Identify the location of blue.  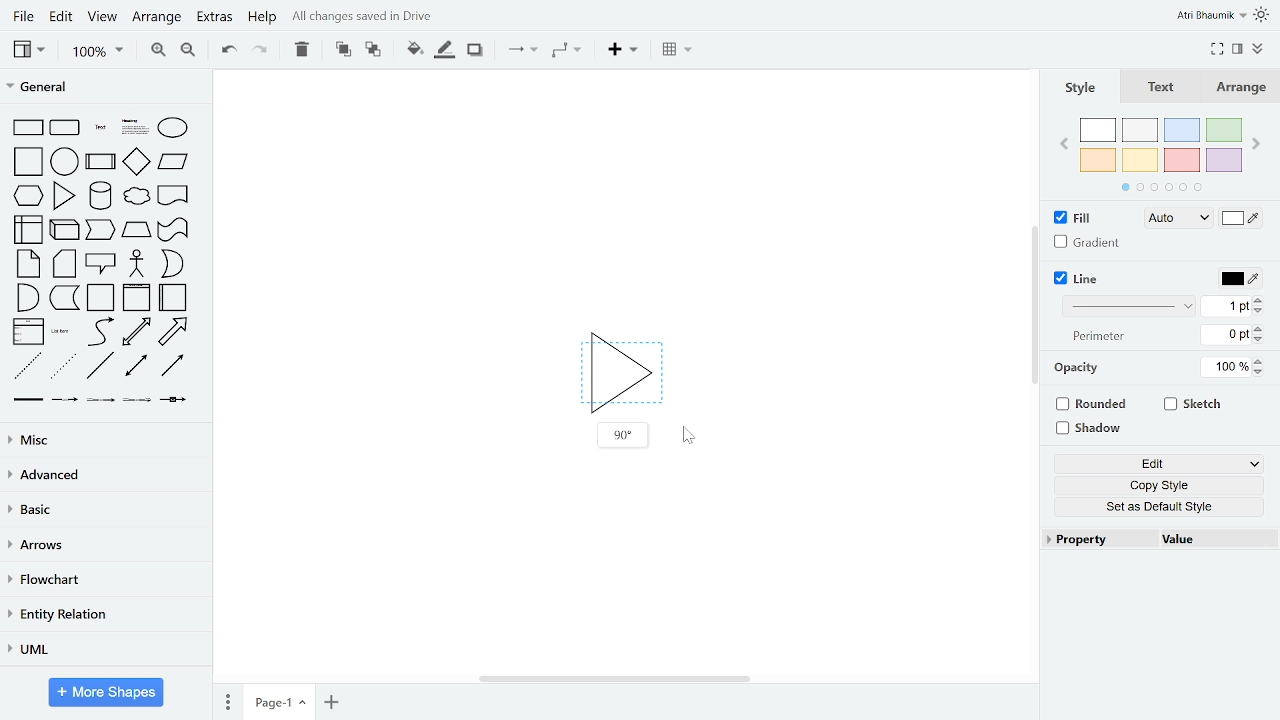
(1182, 130).